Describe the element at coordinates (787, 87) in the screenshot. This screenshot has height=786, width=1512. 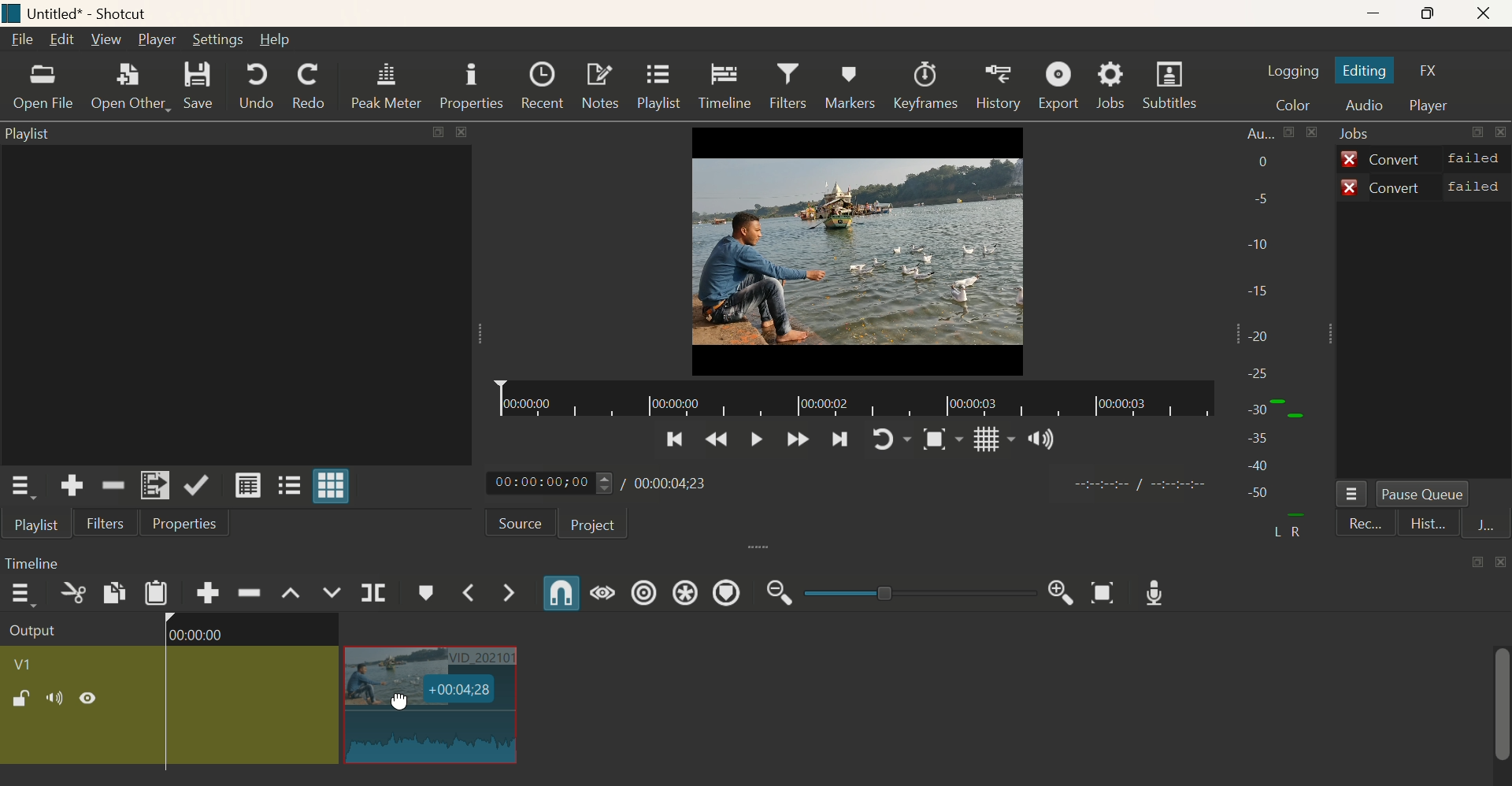
I see `Filters` at that location.